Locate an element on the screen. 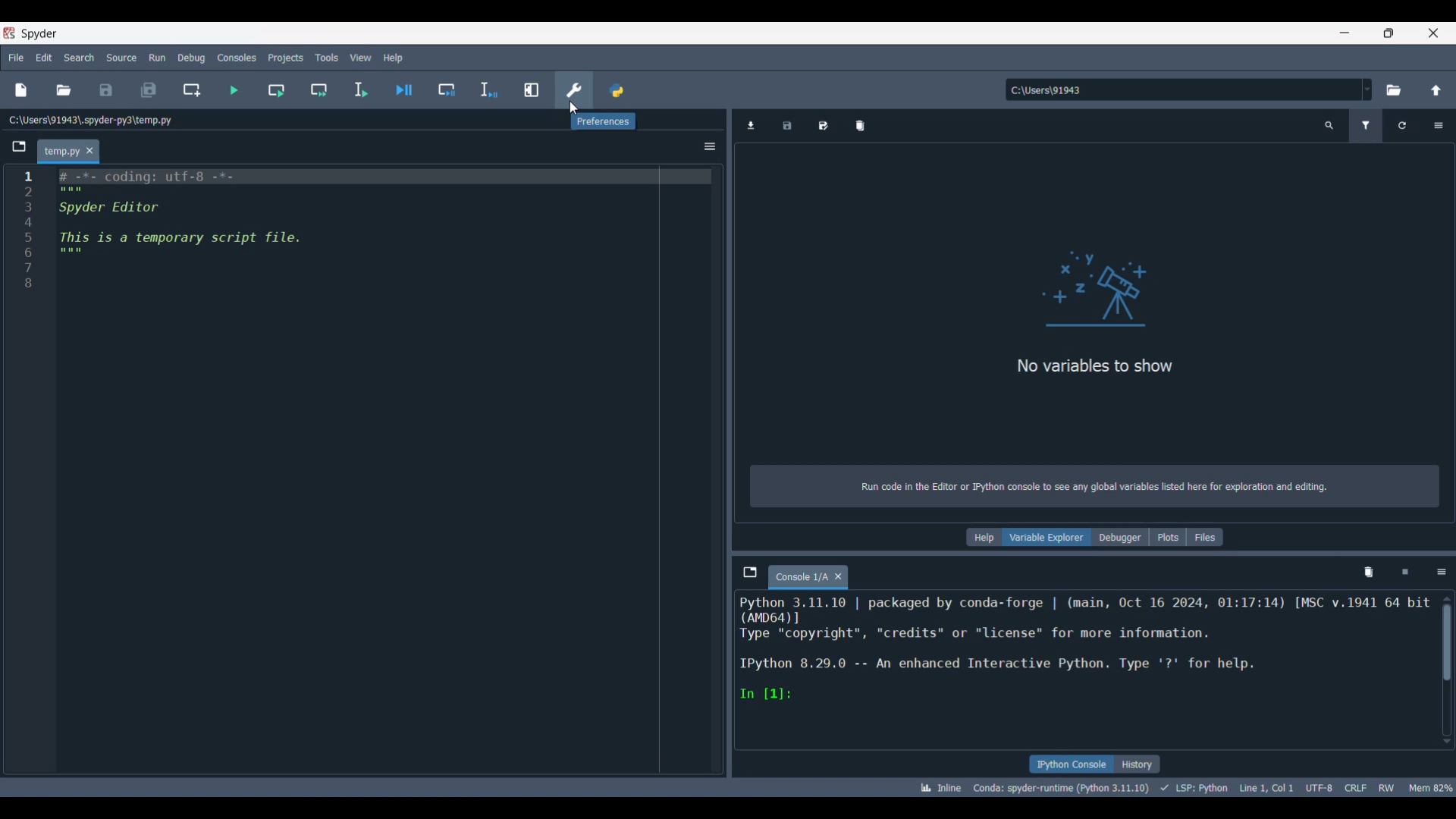 This screenshot has height=819, width=1456. Close is located at coordinates (89, 150).